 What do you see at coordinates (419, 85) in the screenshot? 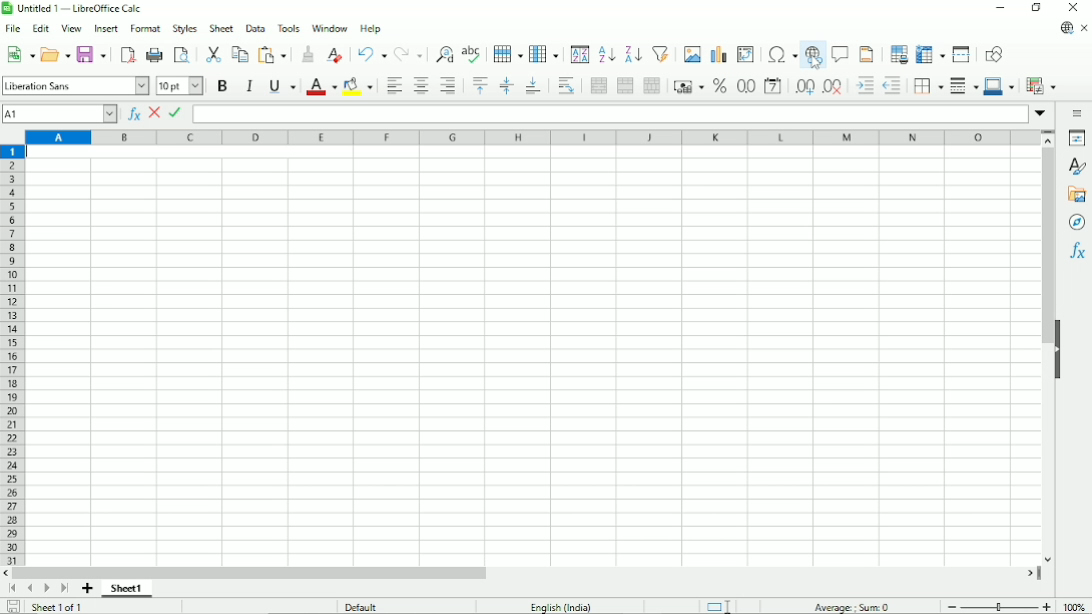
I see `Align center` at bounding box center [419, 85].